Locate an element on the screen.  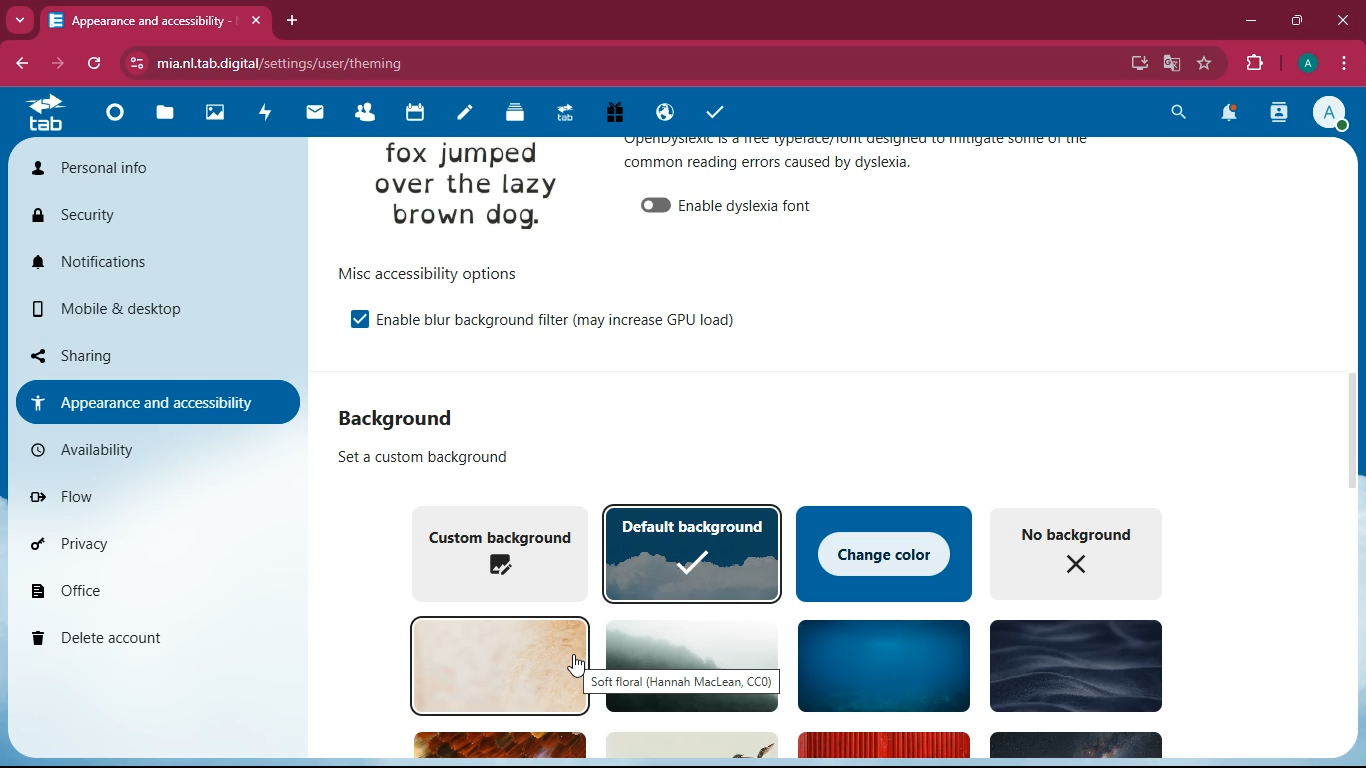
delete account is located at coordinates (147, 638).